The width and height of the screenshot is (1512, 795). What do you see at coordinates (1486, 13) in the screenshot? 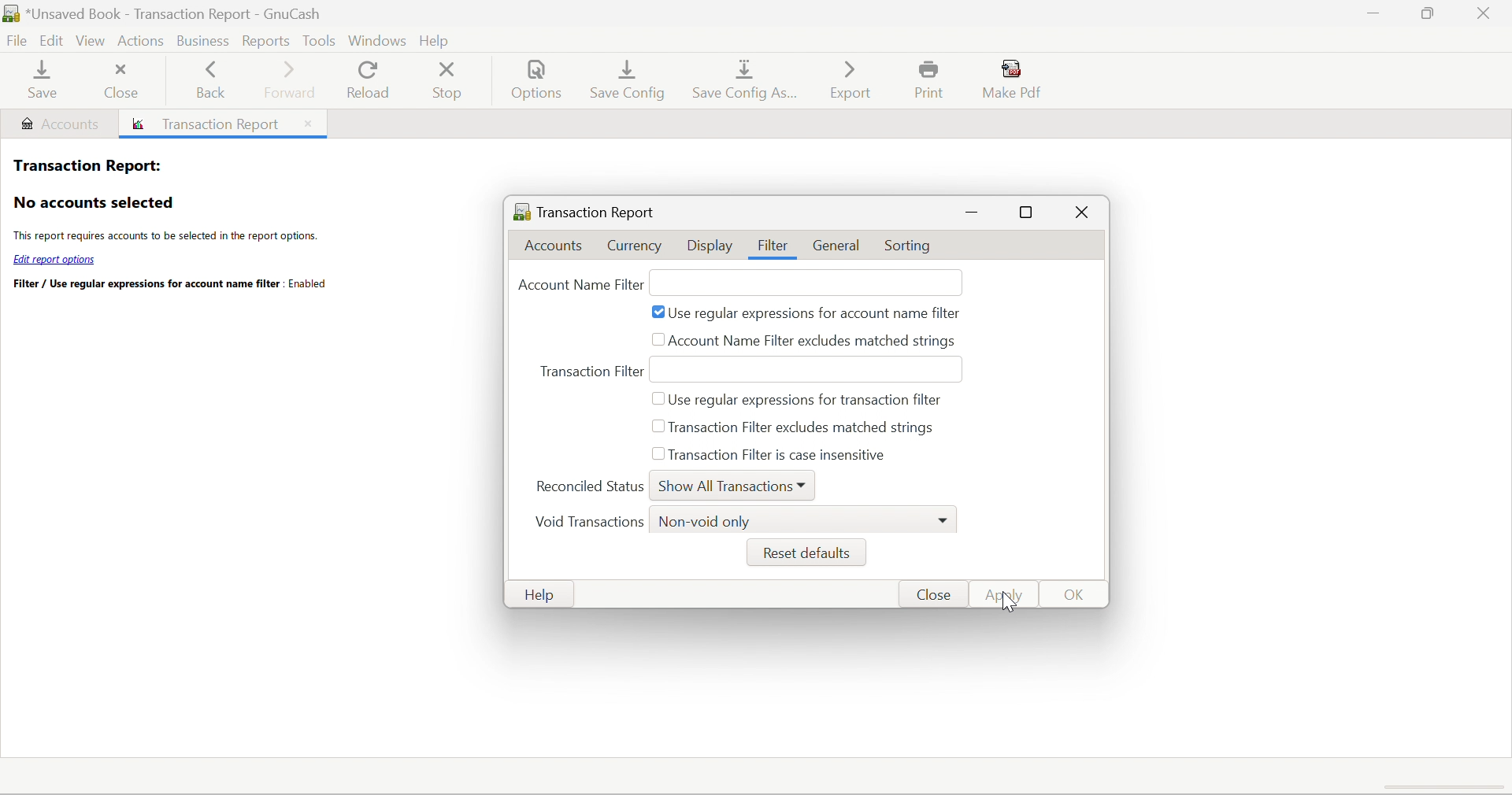
I see `Close` at bounding box center [1486, 13].